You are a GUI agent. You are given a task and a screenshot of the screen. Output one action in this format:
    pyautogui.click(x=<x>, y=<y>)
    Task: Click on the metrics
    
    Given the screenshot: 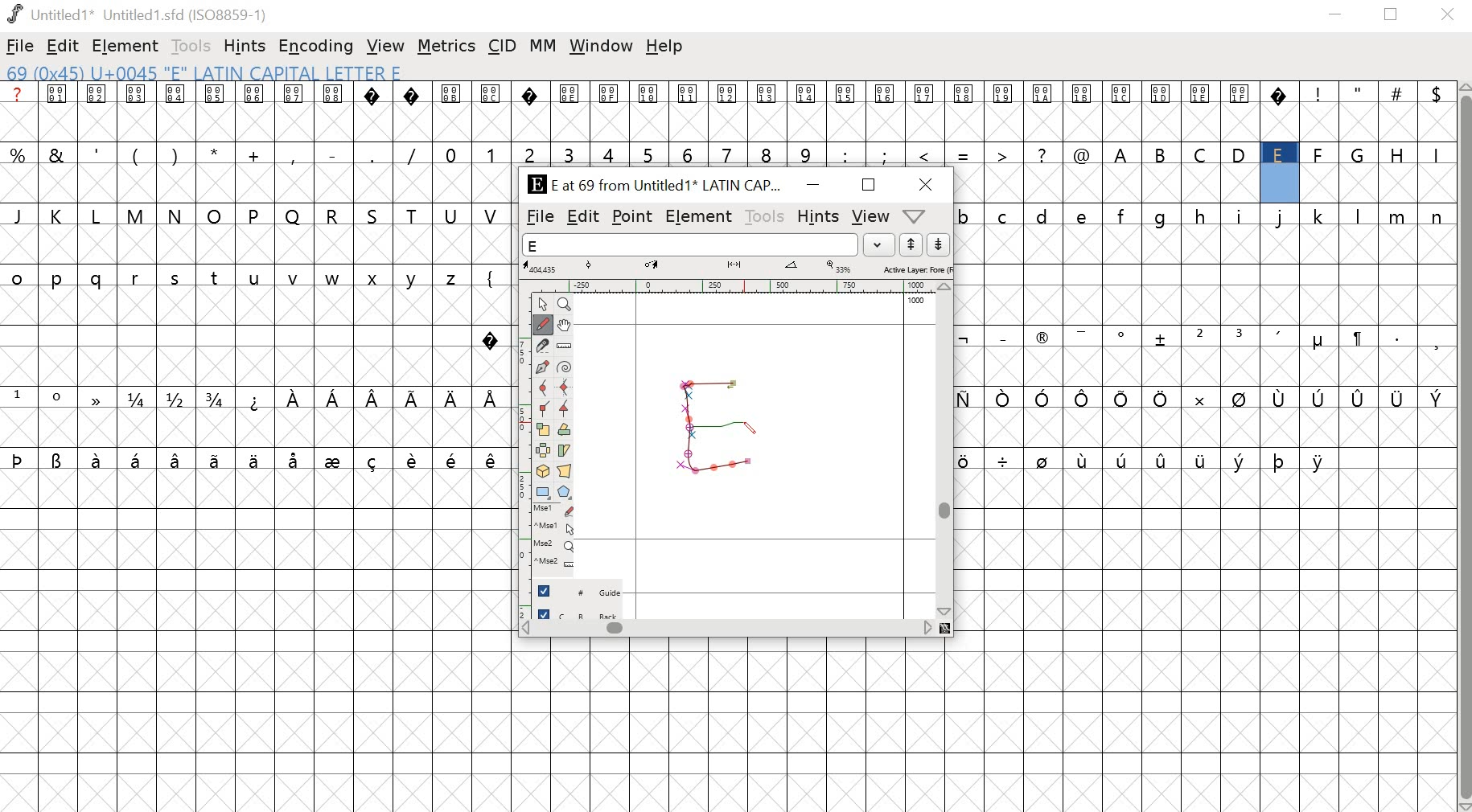 What is the action you would take?
    pyautogui.click(x=446, y=48)
    